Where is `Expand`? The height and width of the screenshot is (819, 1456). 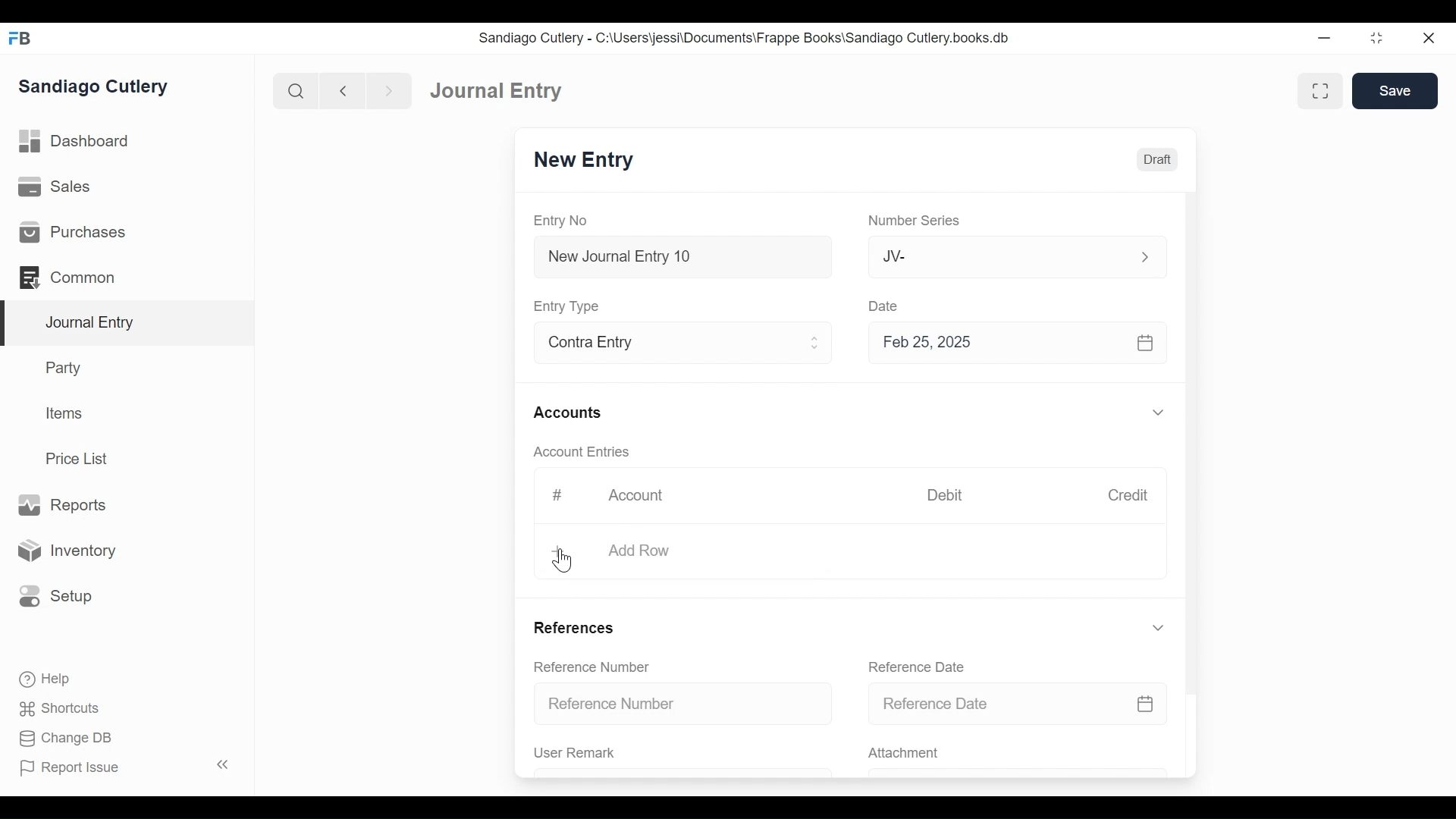 Expand is located at coordinates (1144, 256).